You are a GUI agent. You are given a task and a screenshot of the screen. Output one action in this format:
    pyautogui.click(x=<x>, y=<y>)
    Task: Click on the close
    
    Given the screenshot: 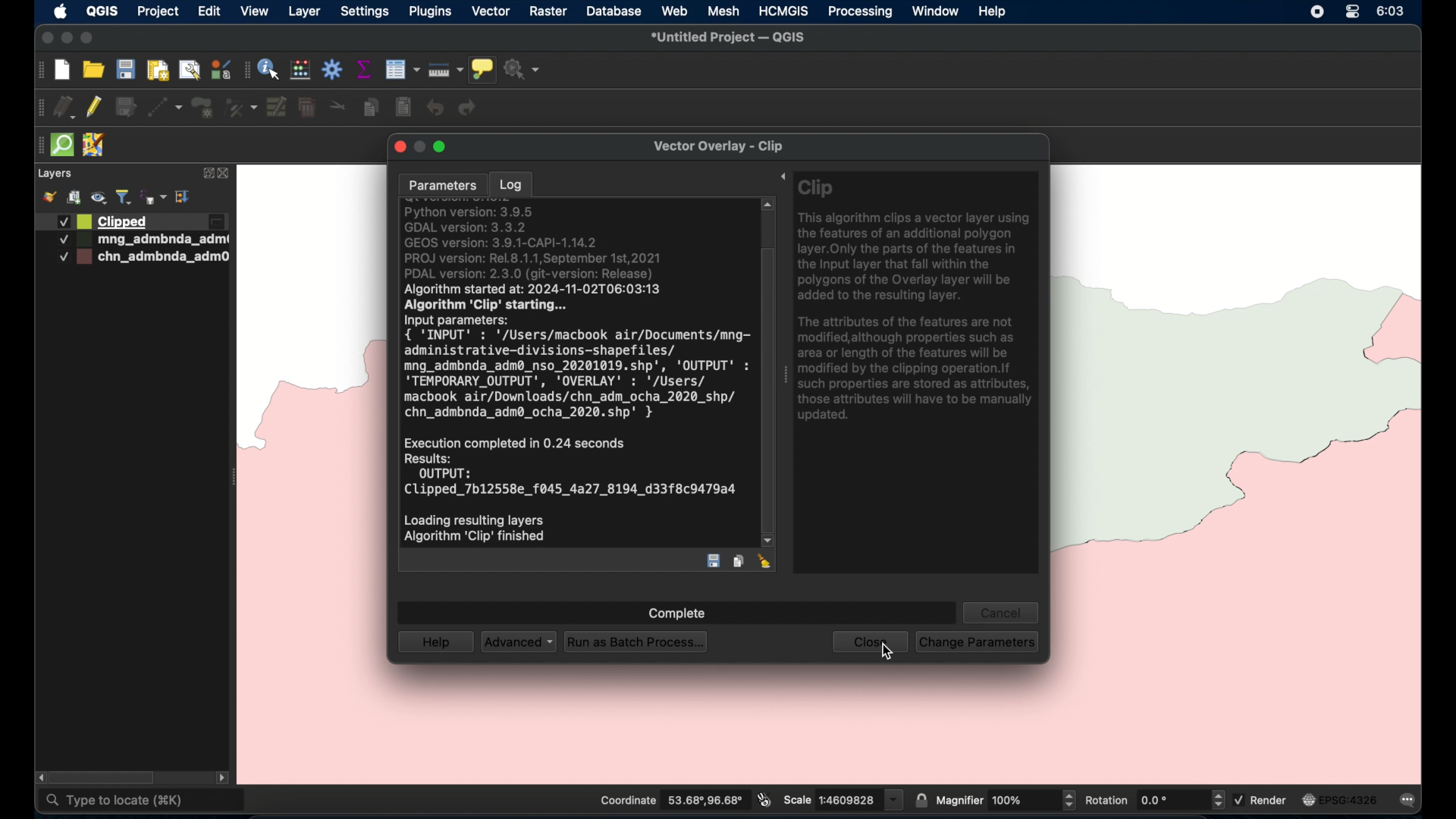 What is the action you would take?
    pyautogui.click(x=868, y=643)
    